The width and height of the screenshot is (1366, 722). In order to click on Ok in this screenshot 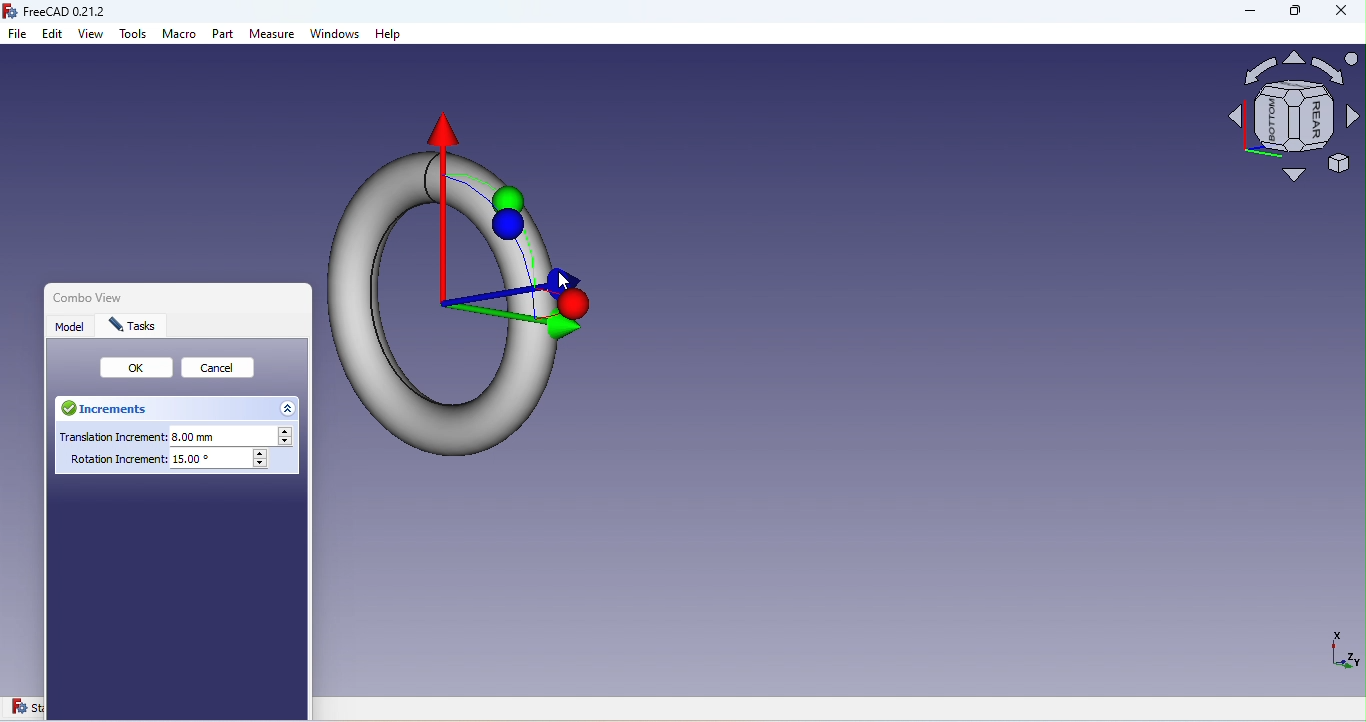, I will do `click(138, 368)`.